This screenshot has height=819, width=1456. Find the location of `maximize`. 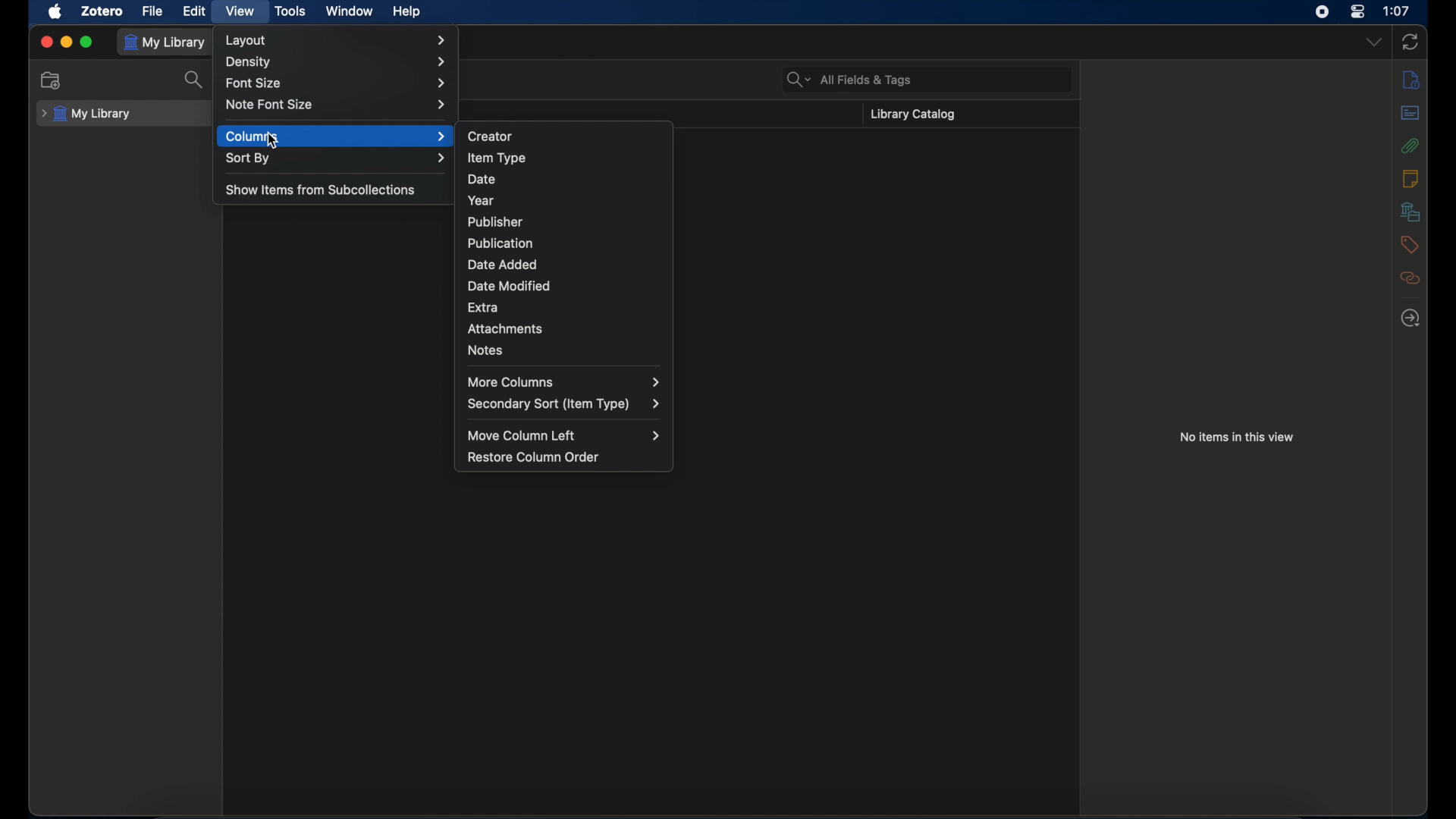

maximize is located at coordinates (86, 42).